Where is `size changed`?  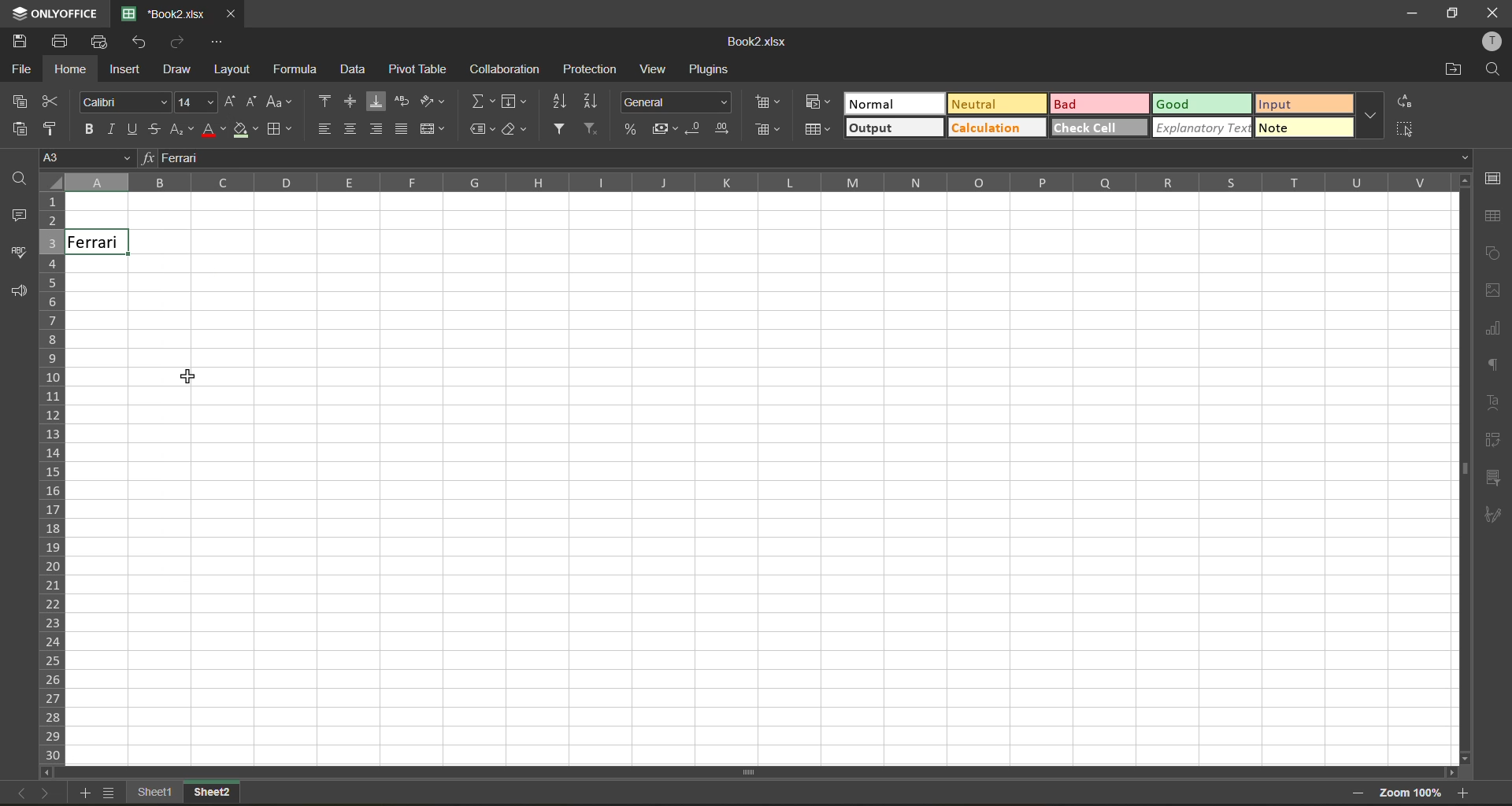
size changed is located at coordinates (191, 103).